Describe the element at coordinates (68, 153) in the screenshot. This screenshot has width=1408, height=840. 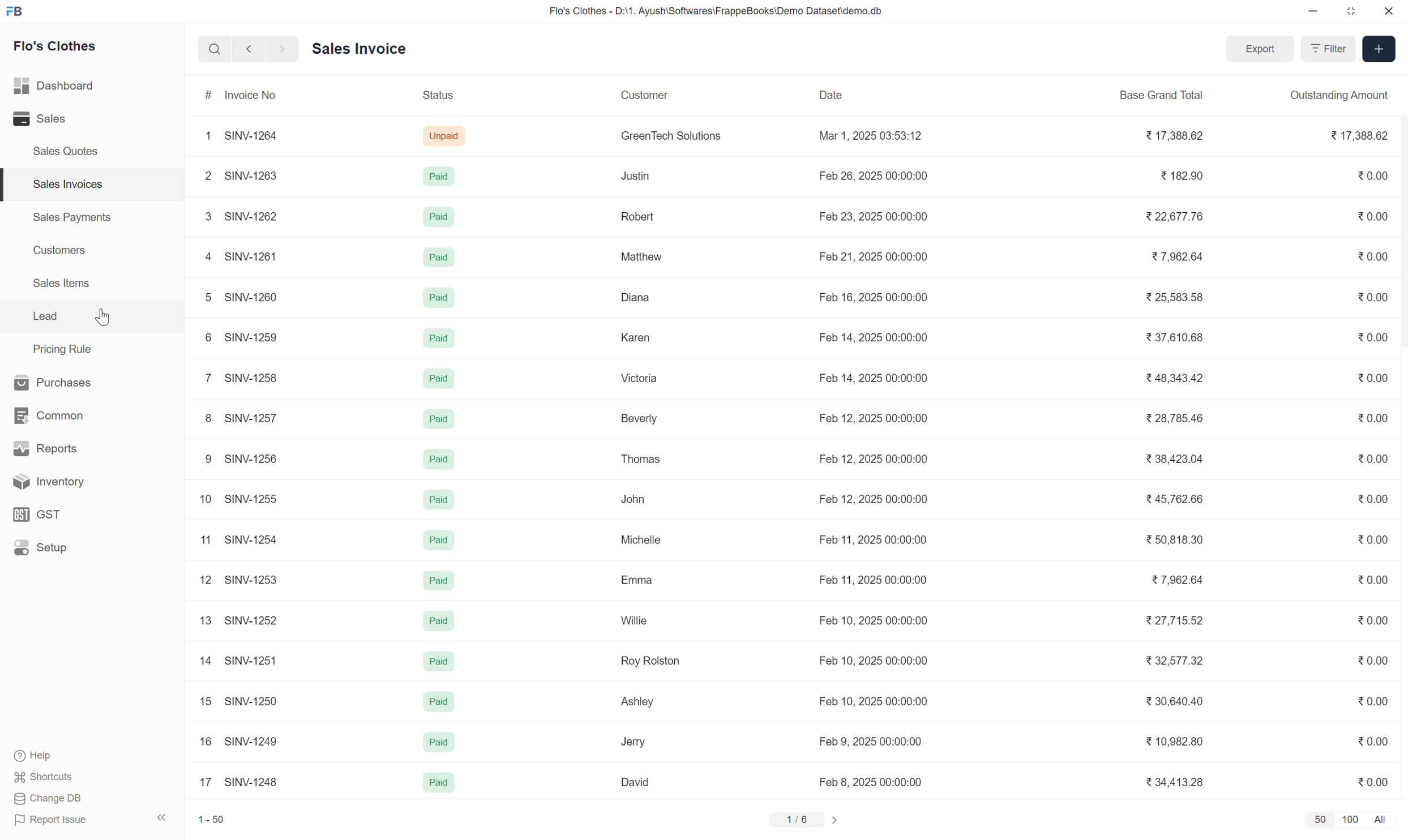
I see `Sales Quotes` at that location.